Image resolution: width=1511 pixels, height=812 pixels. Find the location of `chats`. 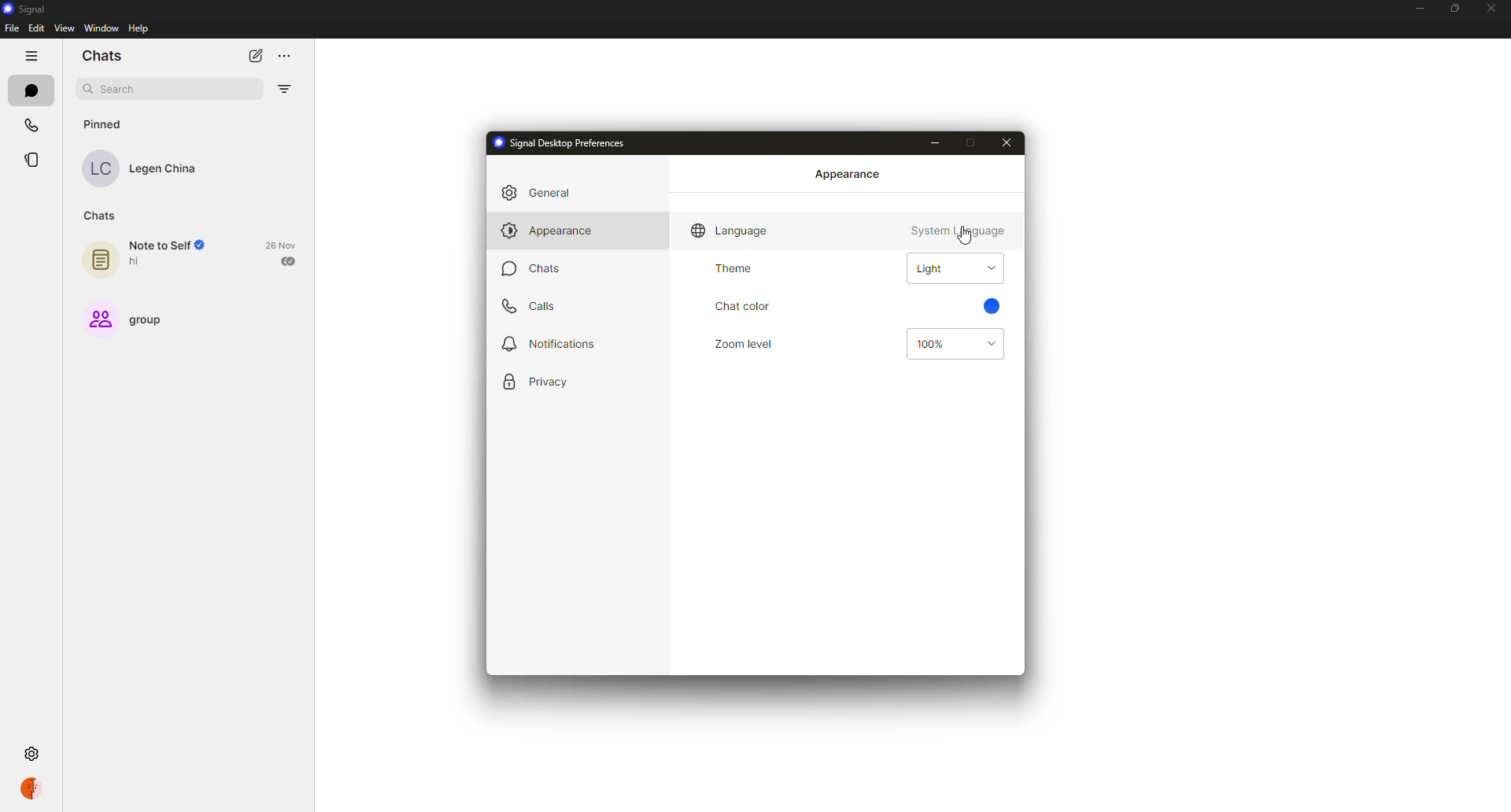

chats is located at coordinates (534, 268).